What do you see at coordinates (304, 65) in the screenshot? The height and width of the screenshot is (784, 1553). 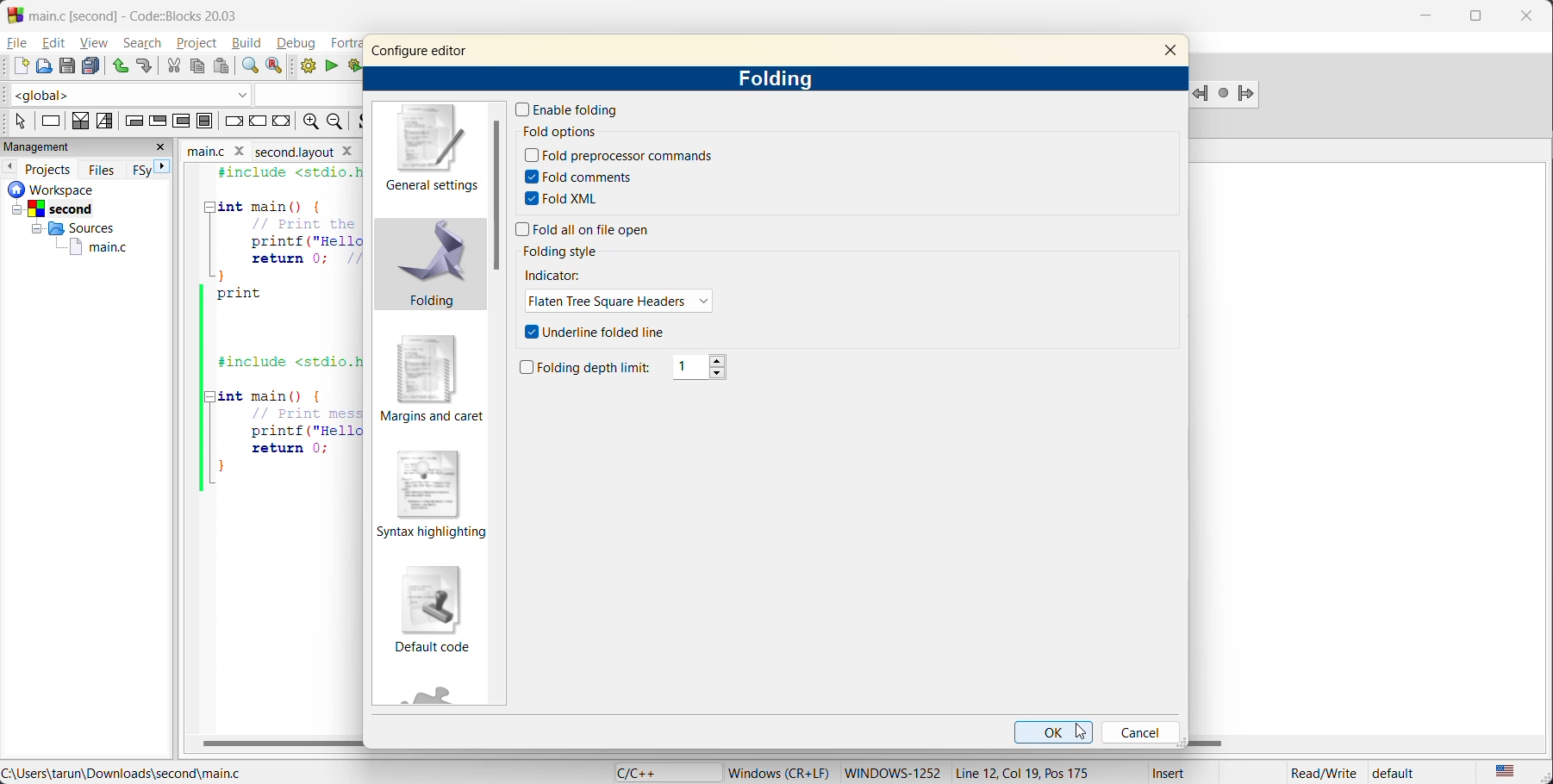 I see `build` at bounding box center [304, 65].